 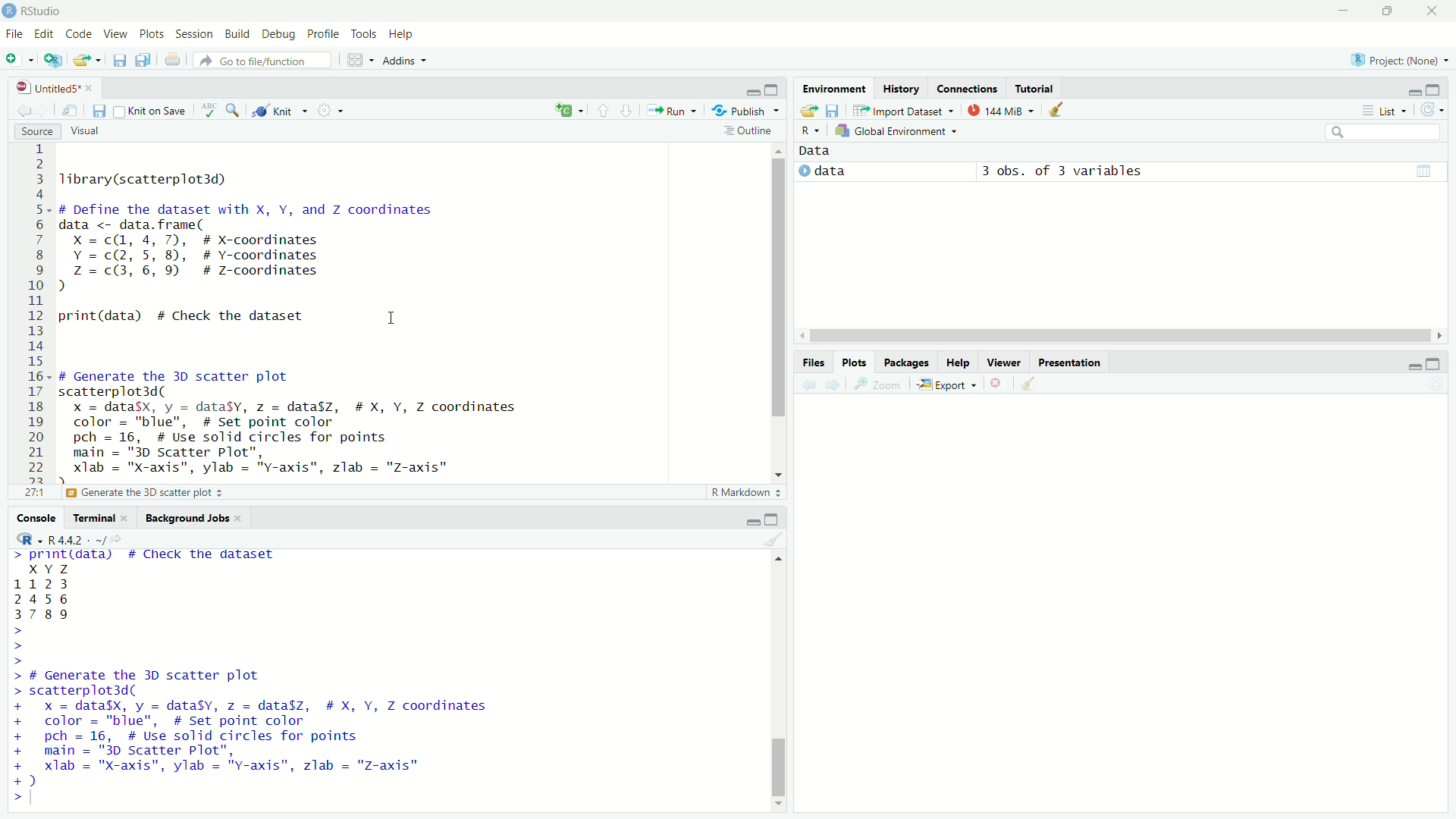 I want to click on scrollbar, so click(x=778, y=306).